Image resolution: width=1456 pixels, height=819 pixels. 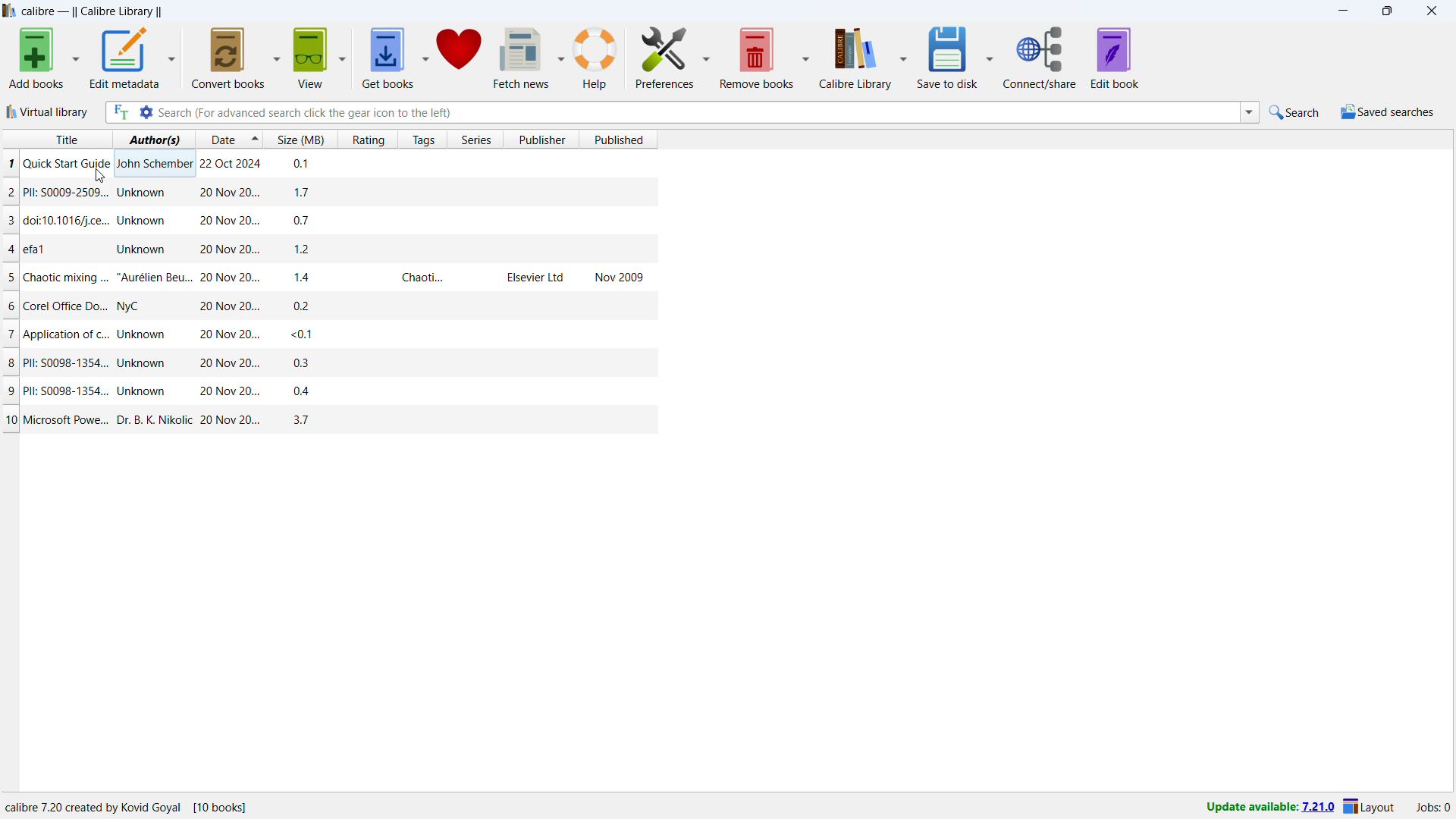 I want to click on one book entry, so click(x=326, y=193).